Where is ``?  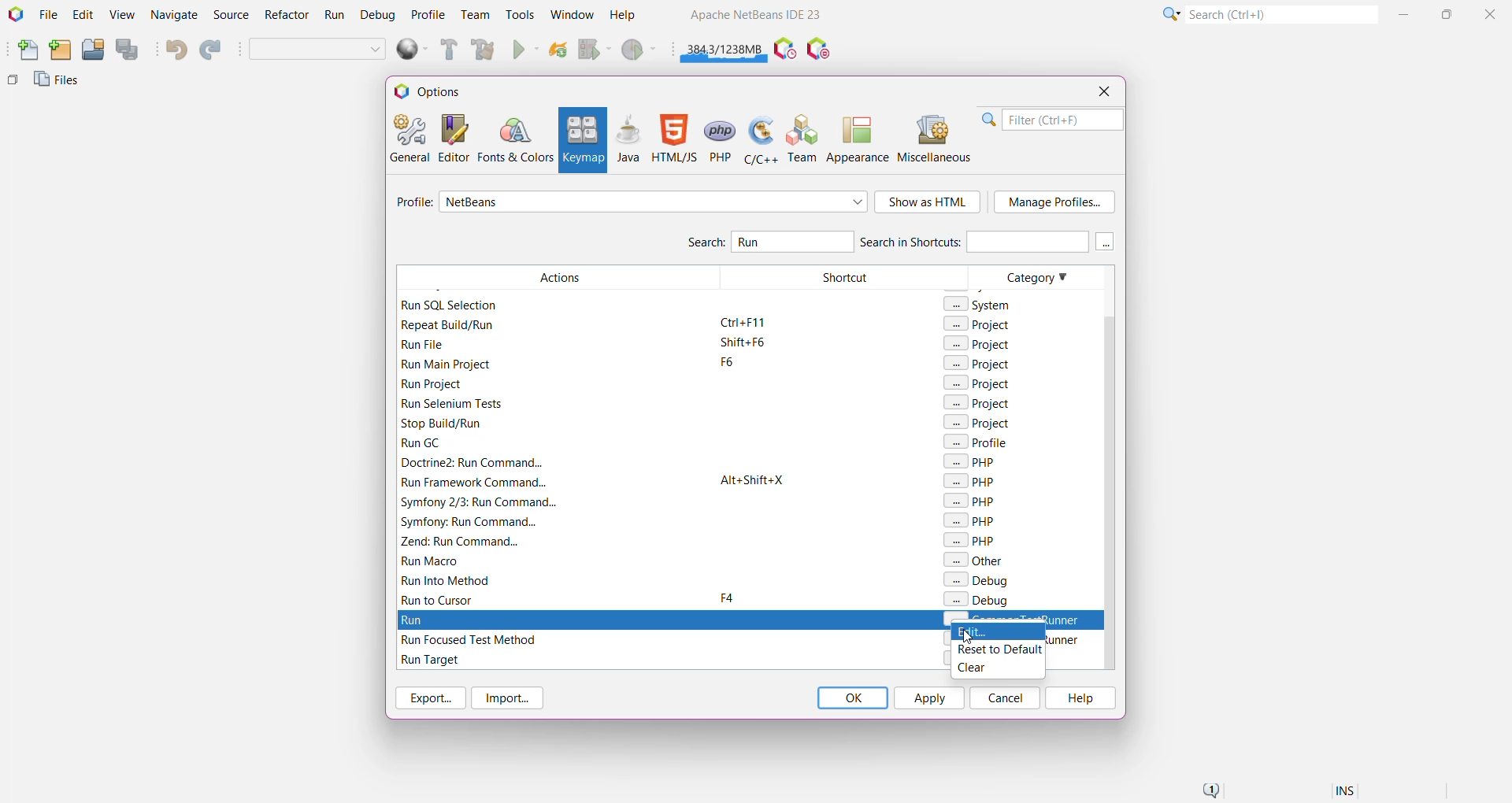  is located at coordinates (412, 50).